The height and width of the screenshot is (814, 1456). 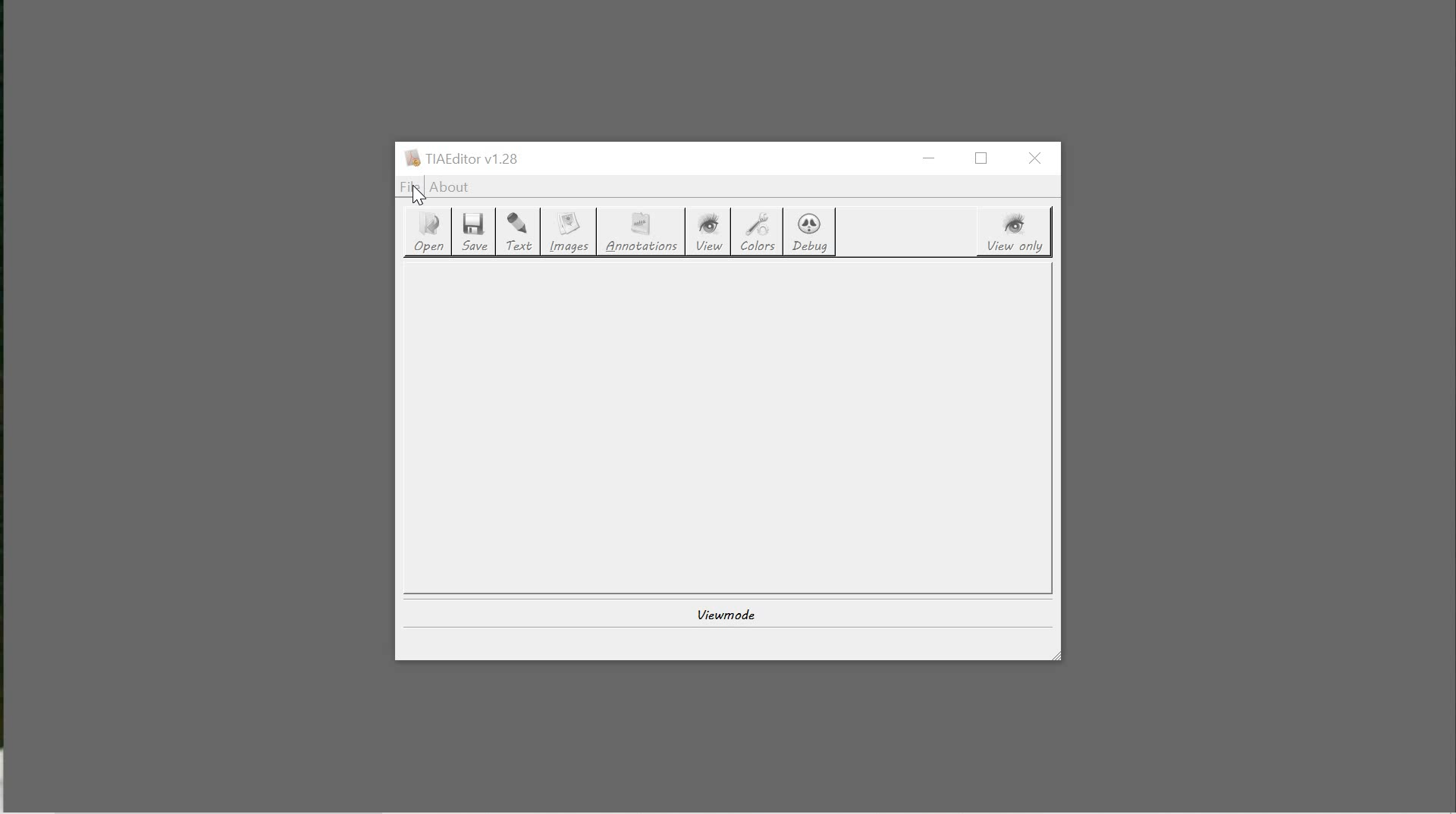 What do you see at coordinates (460, 158) in the screenshot?
I see `system name` at bounding box center [460, 158].